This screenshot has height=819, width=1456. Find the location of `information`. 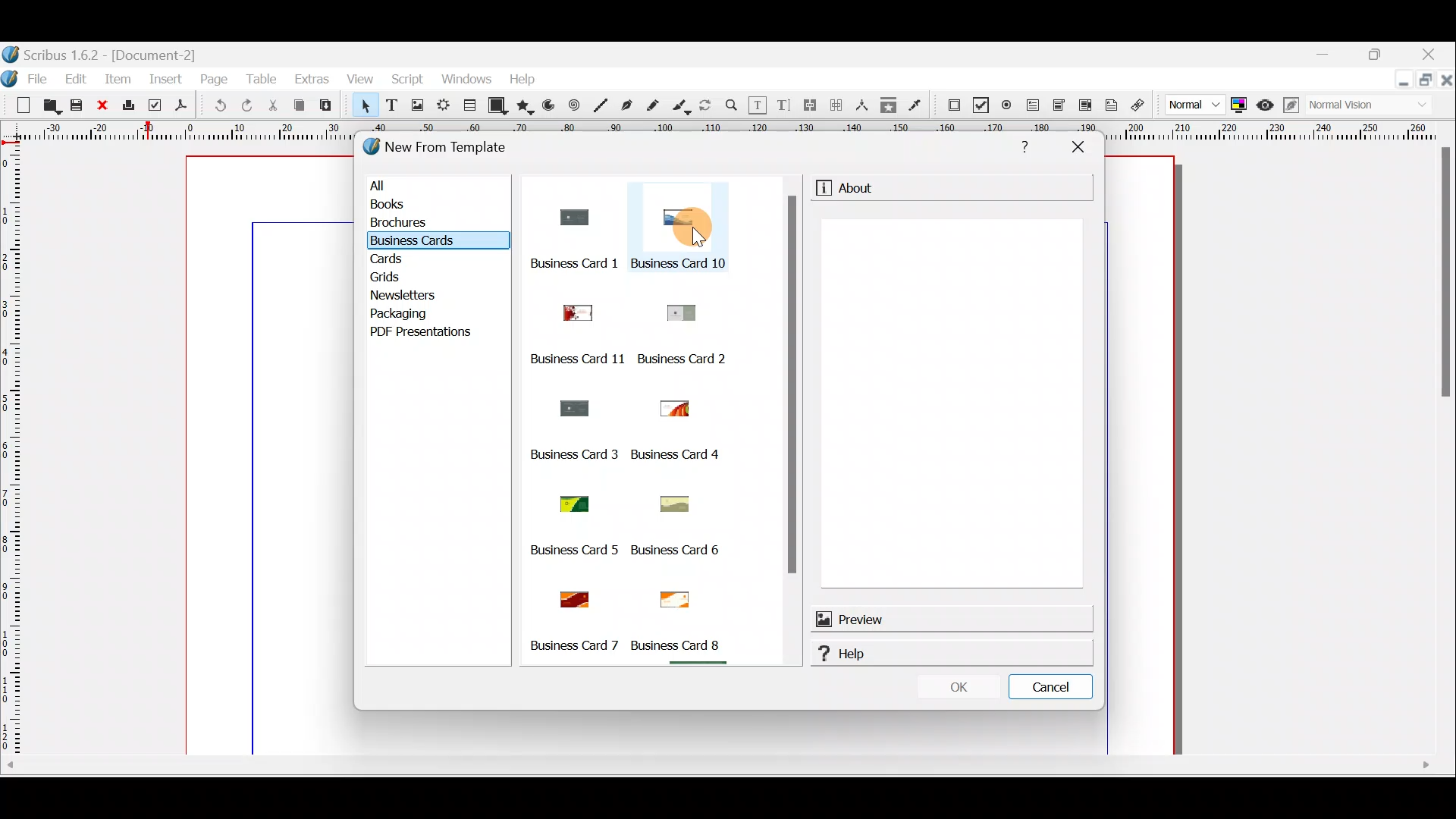

information is located at coordinates (821, 189).